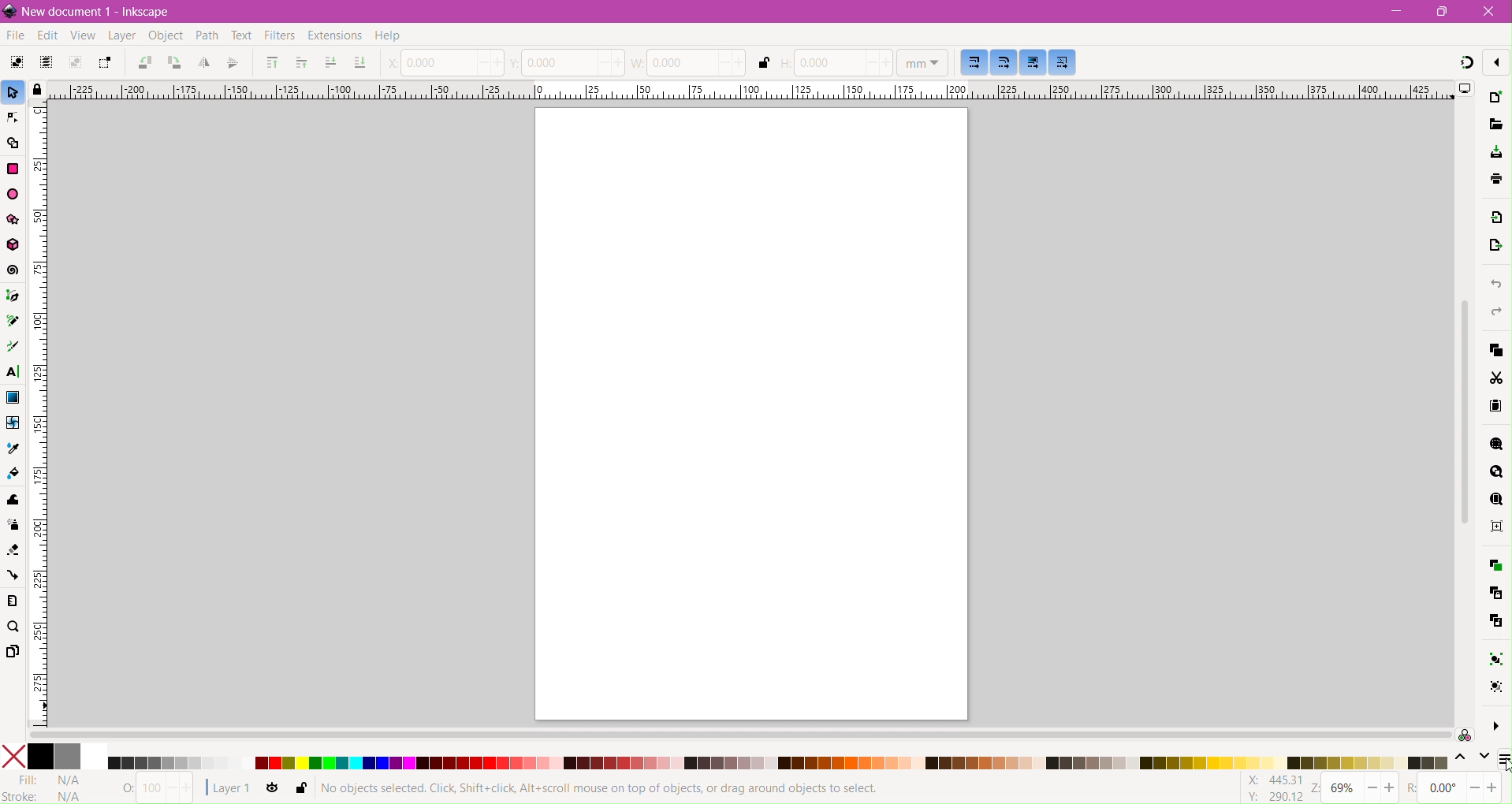 Image resolution: width=1512 pixels, height=804 pixels. Describe the element at coordinates (13, 396) in the screenshot. I see `Gradient Tool` at that location.